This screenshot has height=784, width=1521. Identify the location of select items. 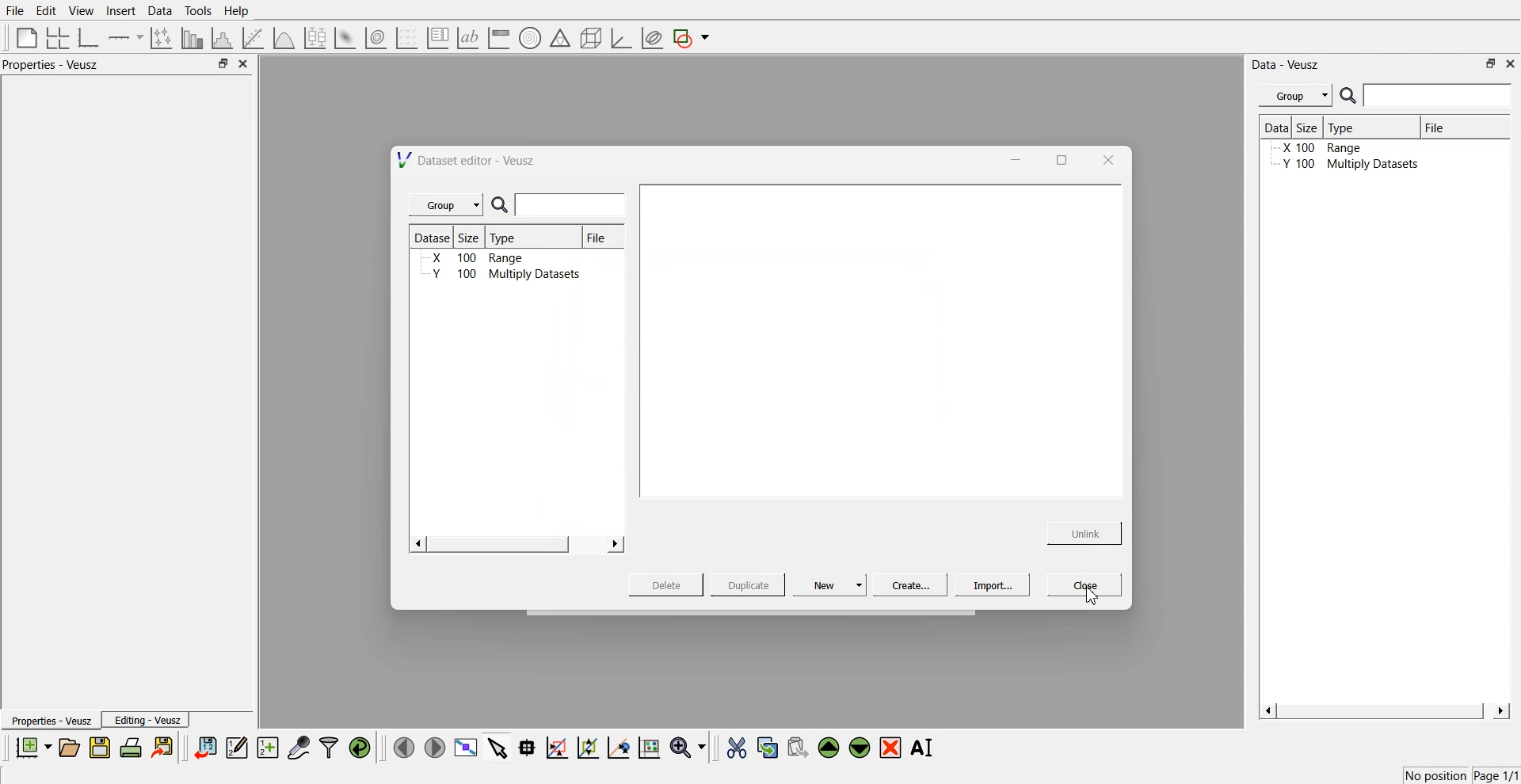
(497, 747).